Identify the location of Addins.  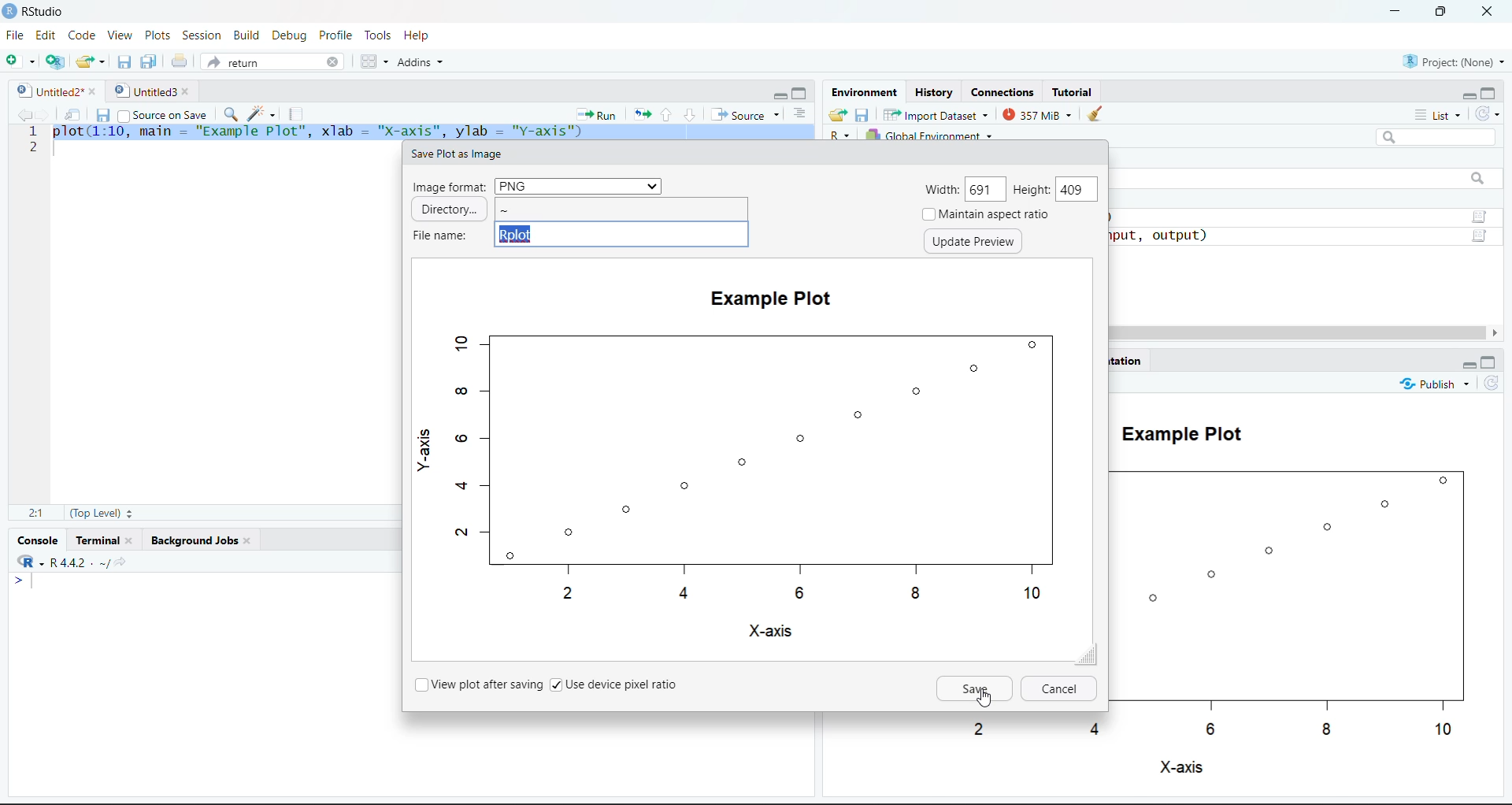
(421, 61).